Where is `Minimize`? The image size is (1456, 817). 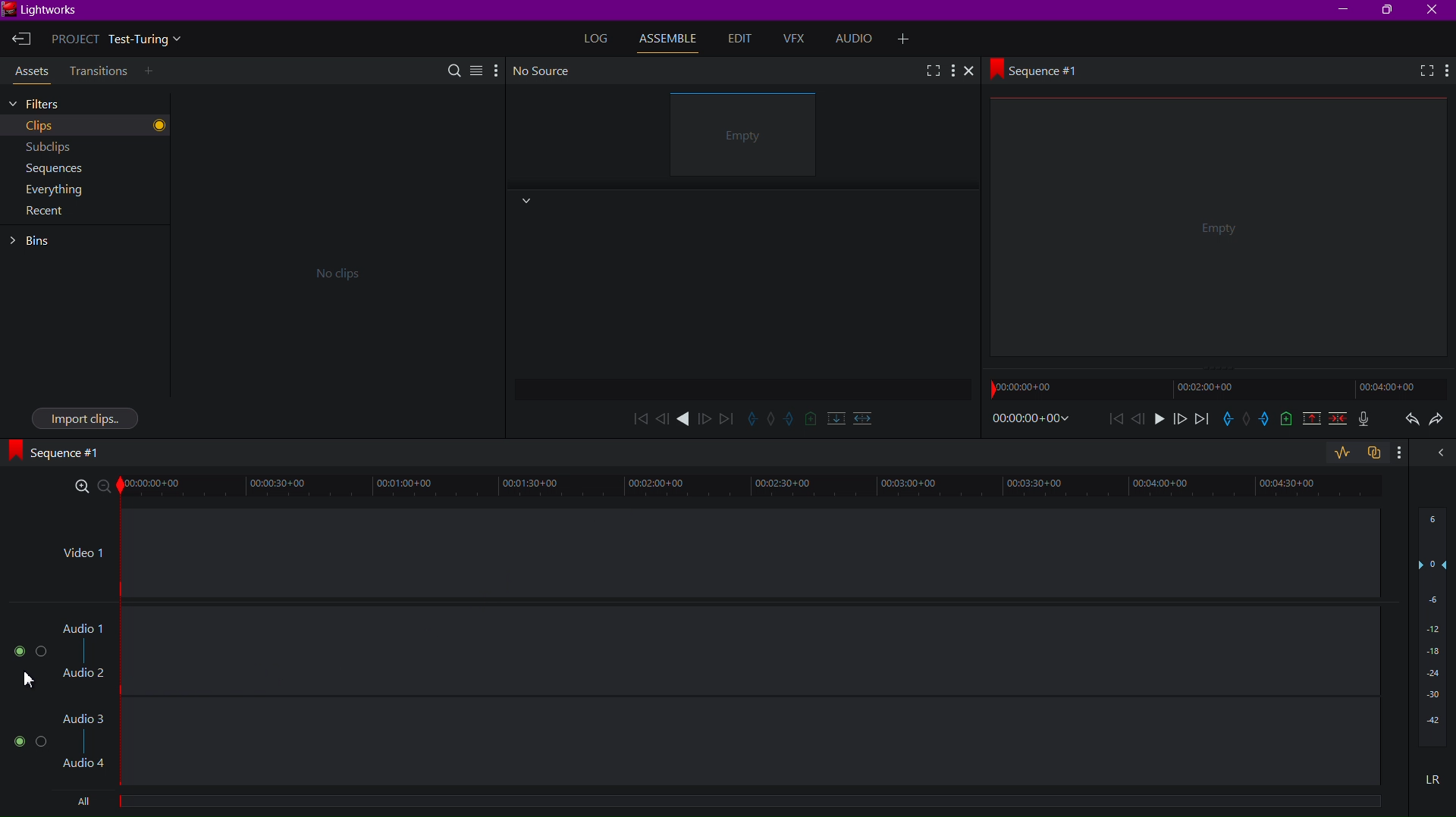 Minimize is located at coordinates (1345, 10).